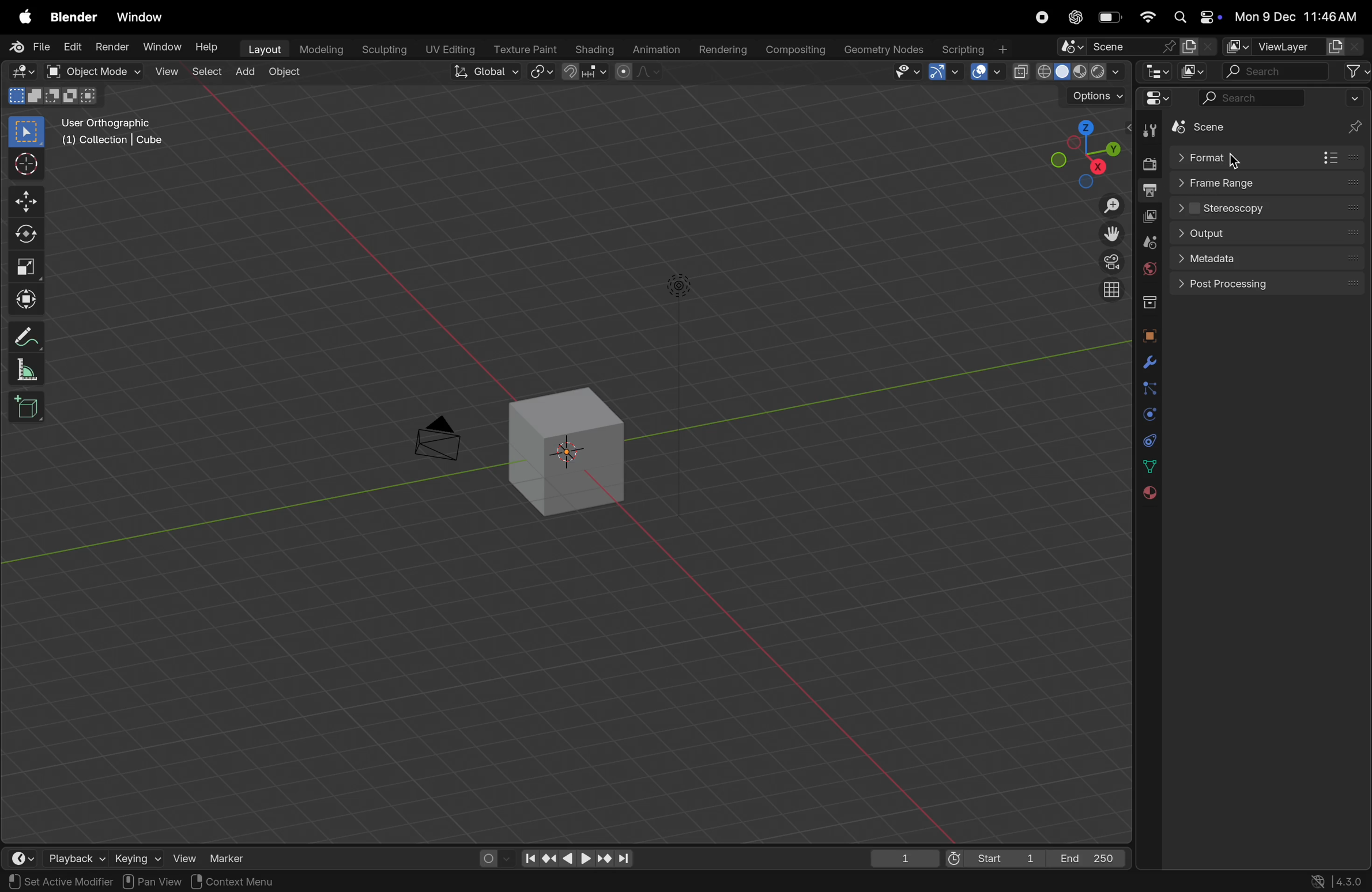  What do you see at coordinates (1271, 206) in the screenshot?
I see `stereeo scopy` at bounding box center [1271, 206].